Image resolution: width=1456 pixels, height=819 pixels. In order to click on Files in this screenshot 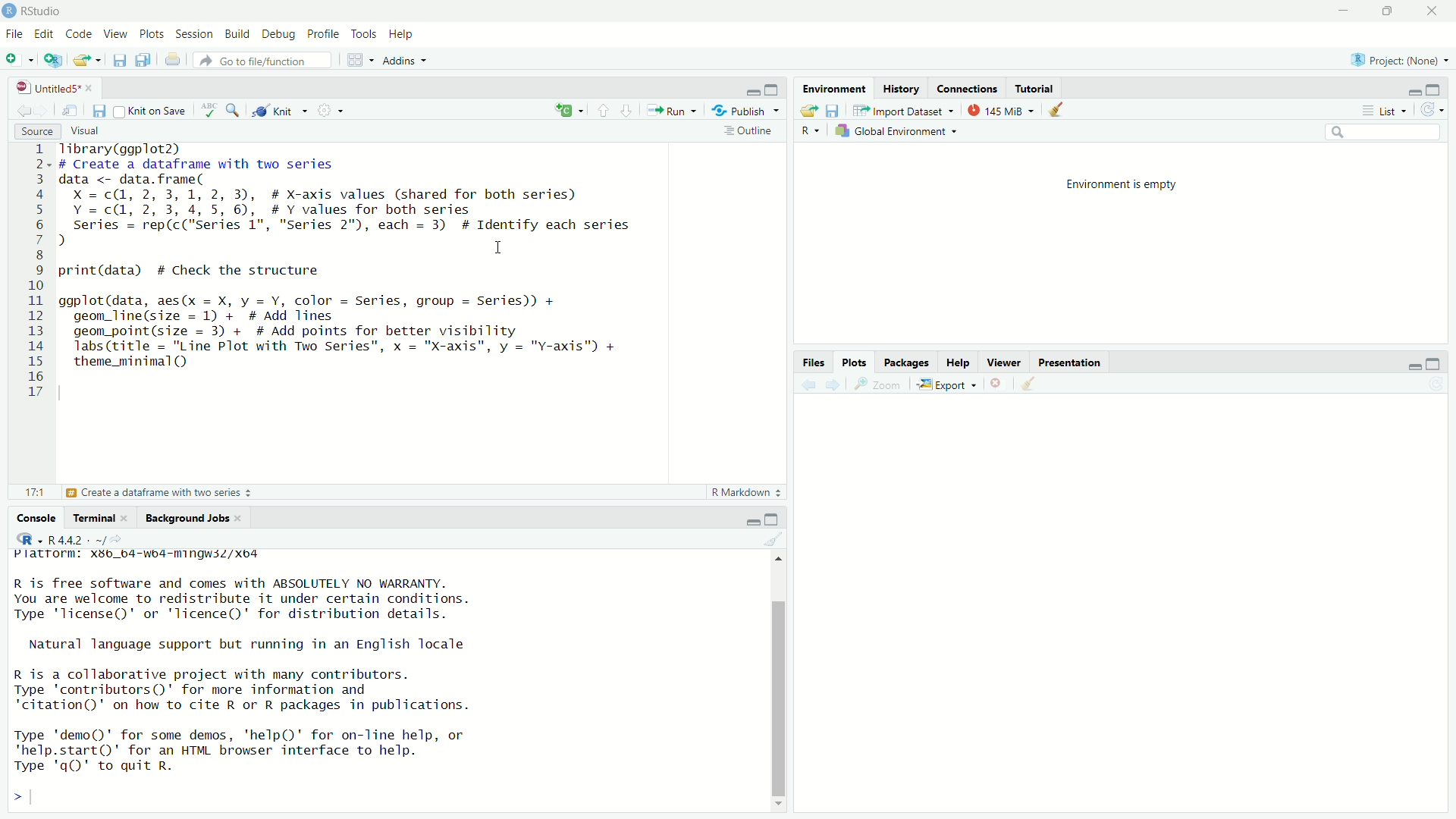, I will do `click(813, 364)`.